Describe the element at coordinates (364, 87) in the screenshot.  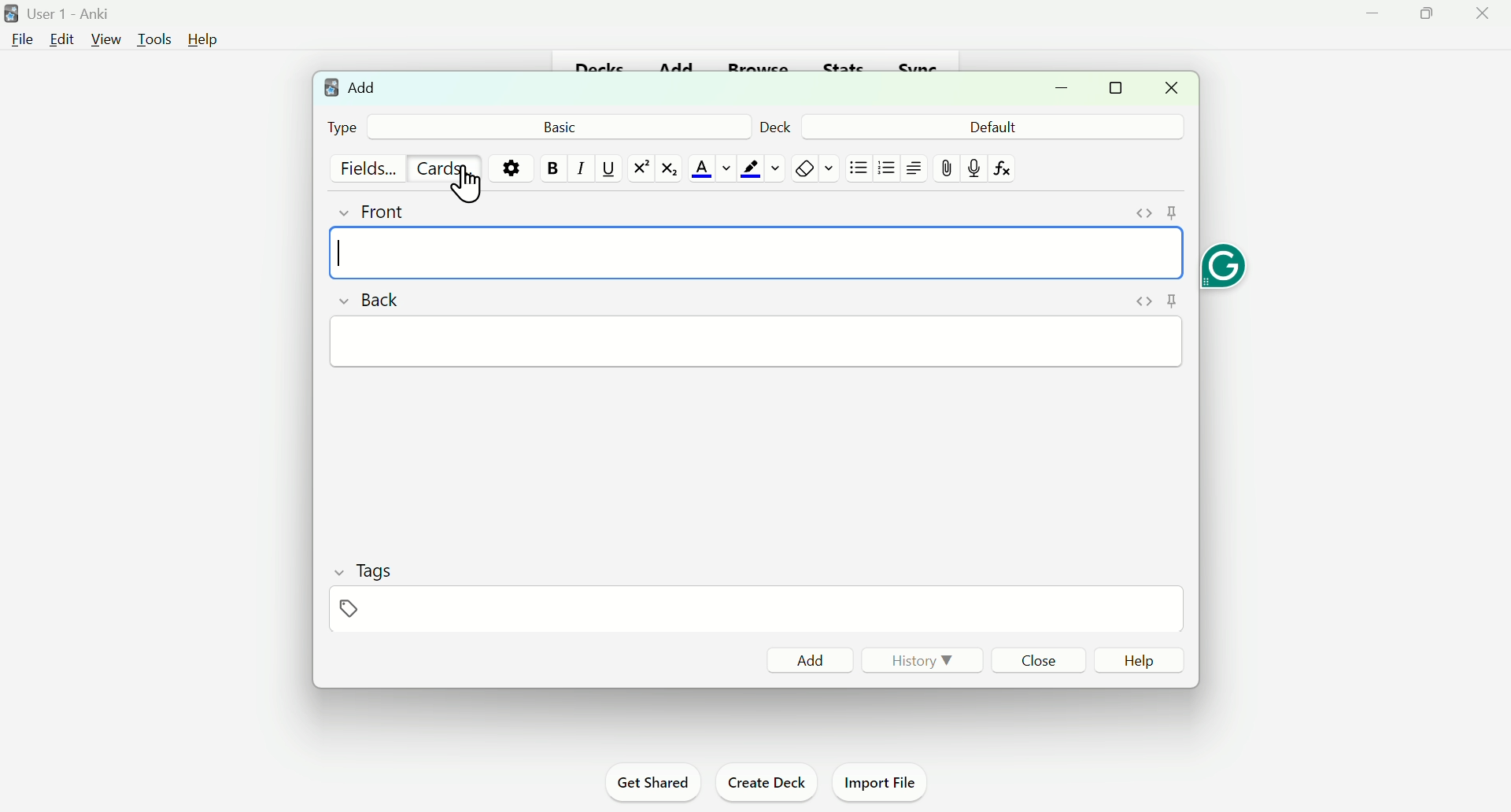
I see `Add` at that location.